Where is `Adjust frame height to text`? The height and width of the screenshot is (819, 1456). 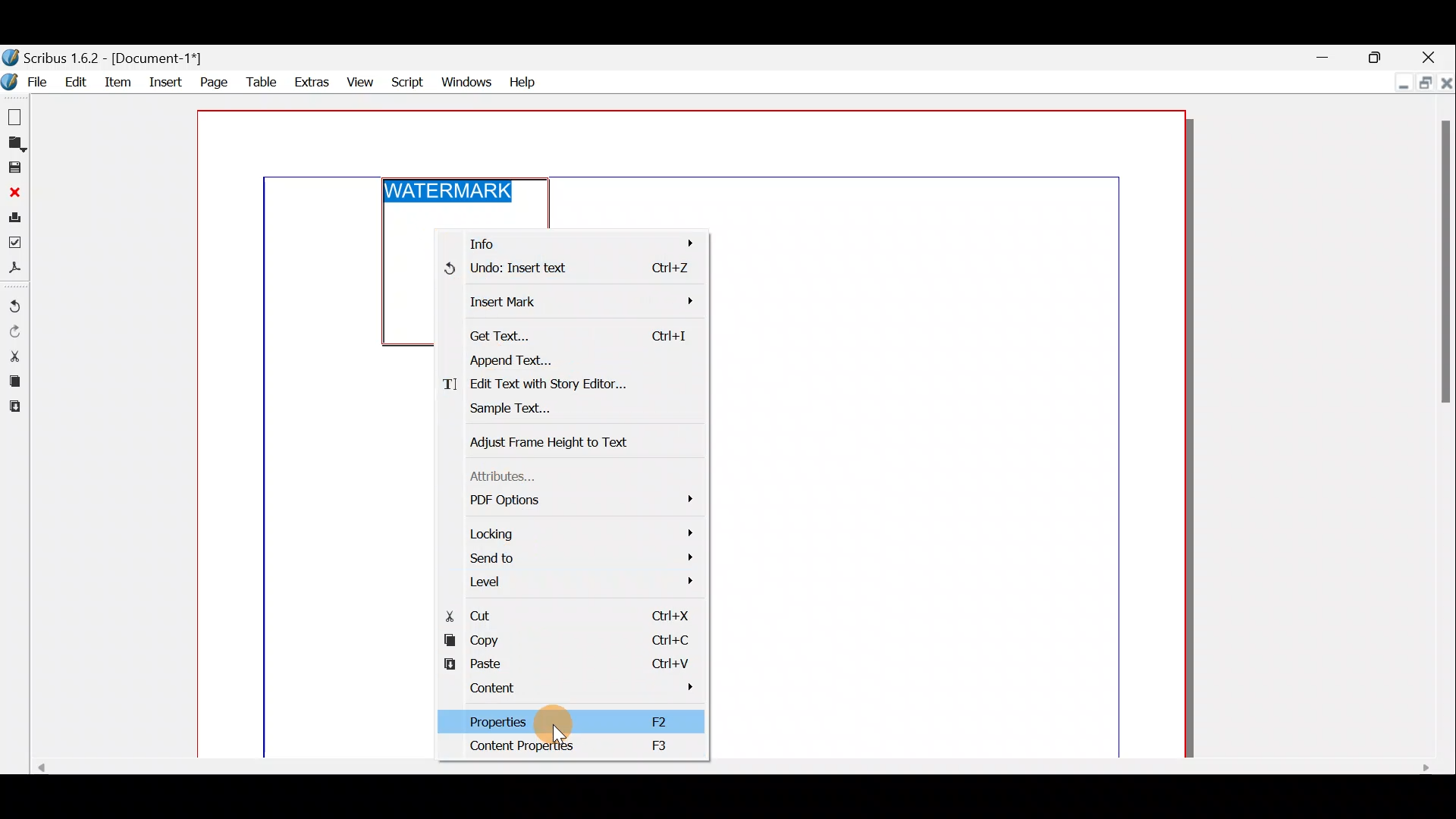 Adjust frame height to text is located at coordinates (554, 438).